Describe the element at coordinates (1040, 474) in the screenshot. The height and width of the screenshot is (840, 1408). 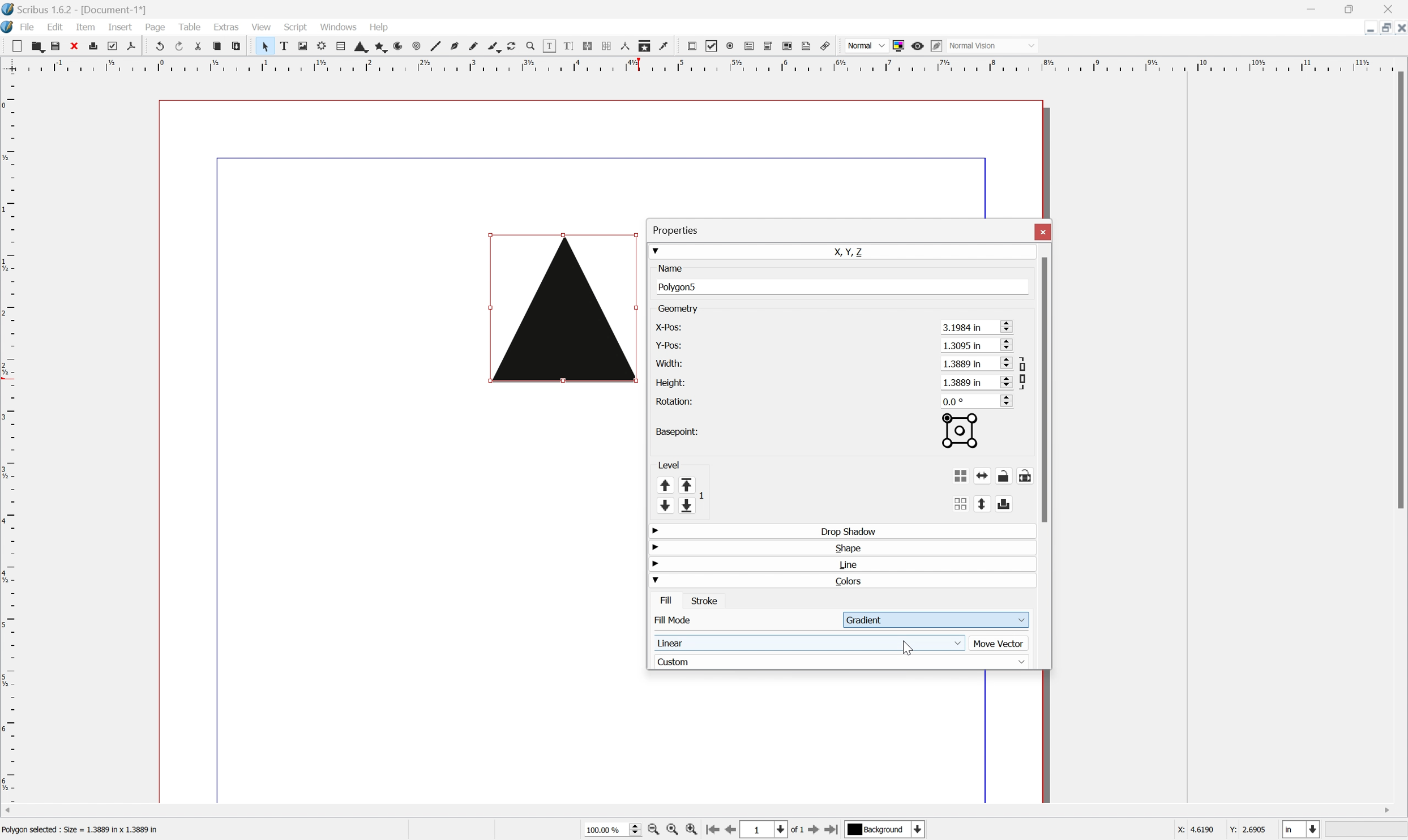
I see `Lock or unlock the size of the object` at that location.